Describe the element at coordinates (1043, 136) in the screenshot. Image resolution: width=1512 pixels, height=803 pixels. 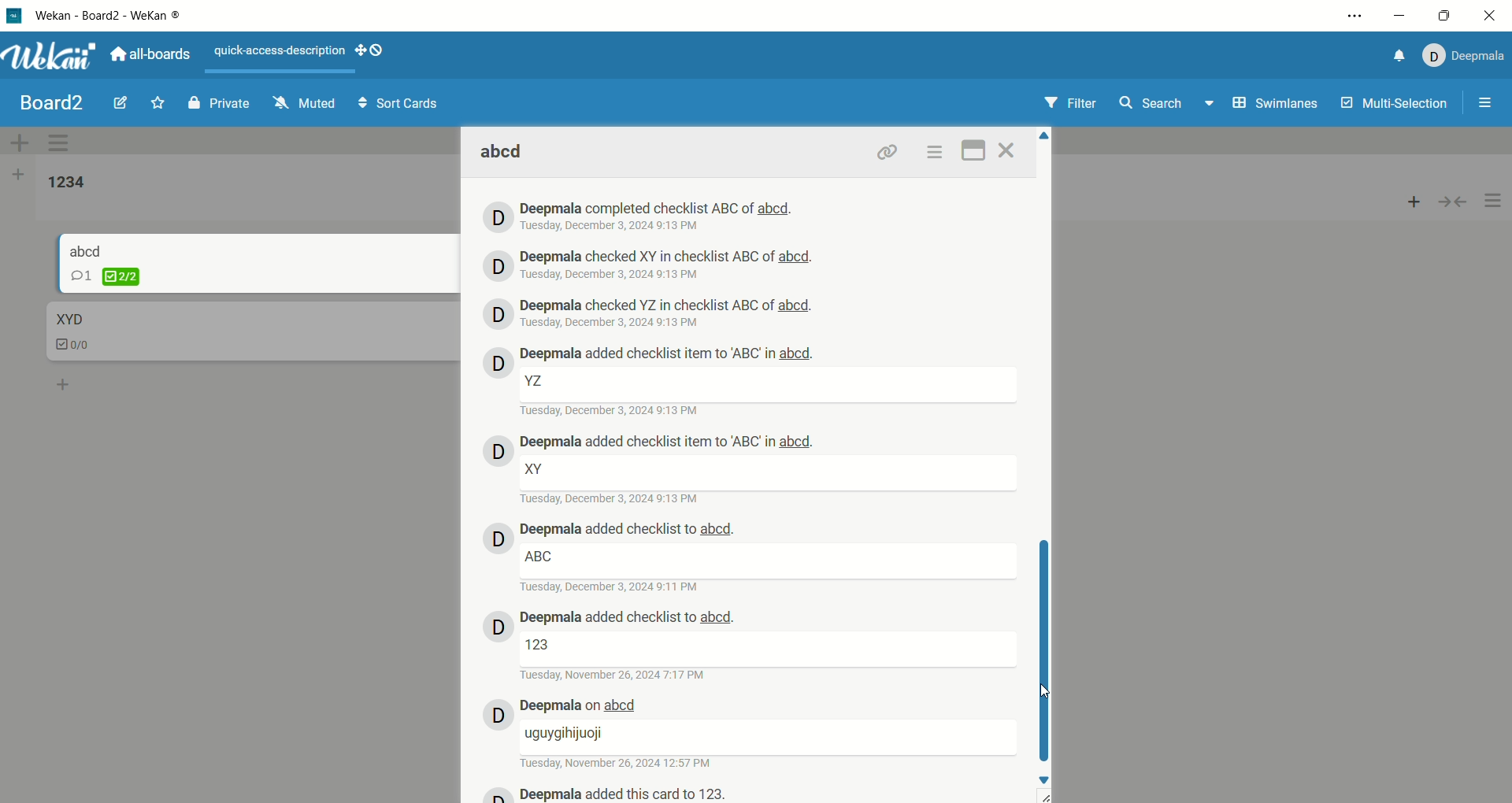
I see `Up` at that location.